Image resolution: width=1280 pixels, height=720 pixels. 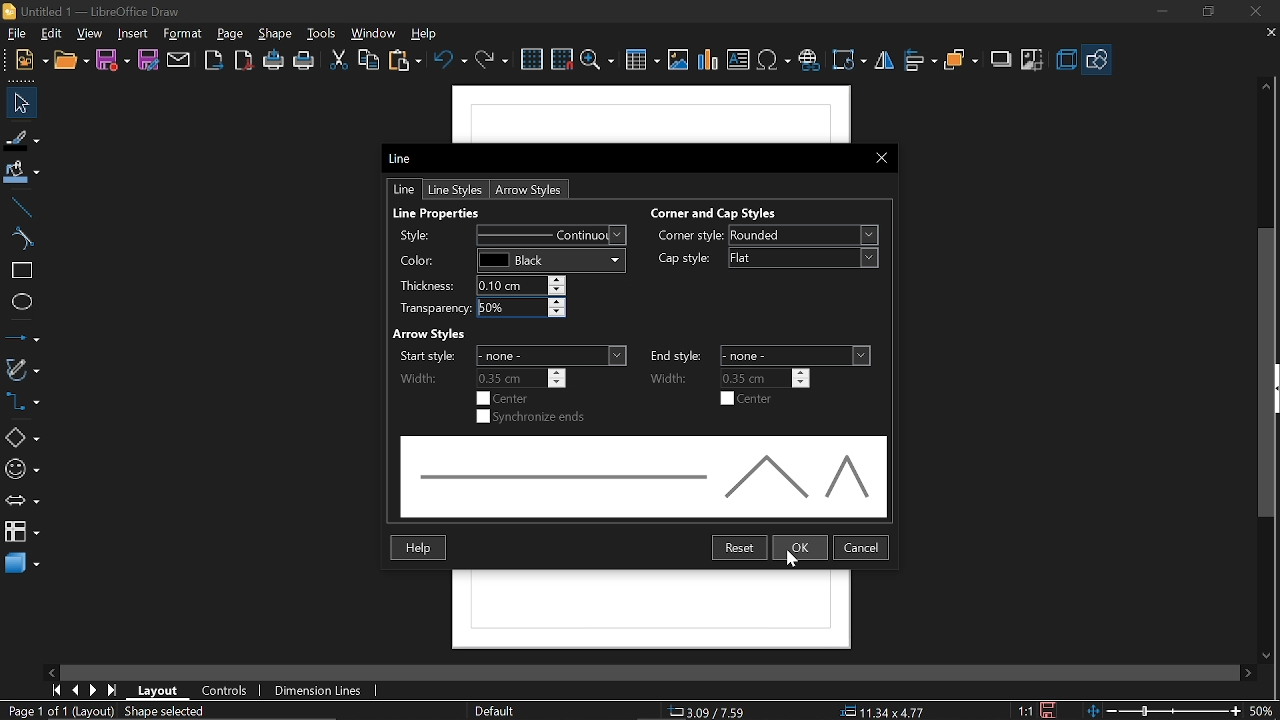 I want to click on line, so click(x=20, y=208).